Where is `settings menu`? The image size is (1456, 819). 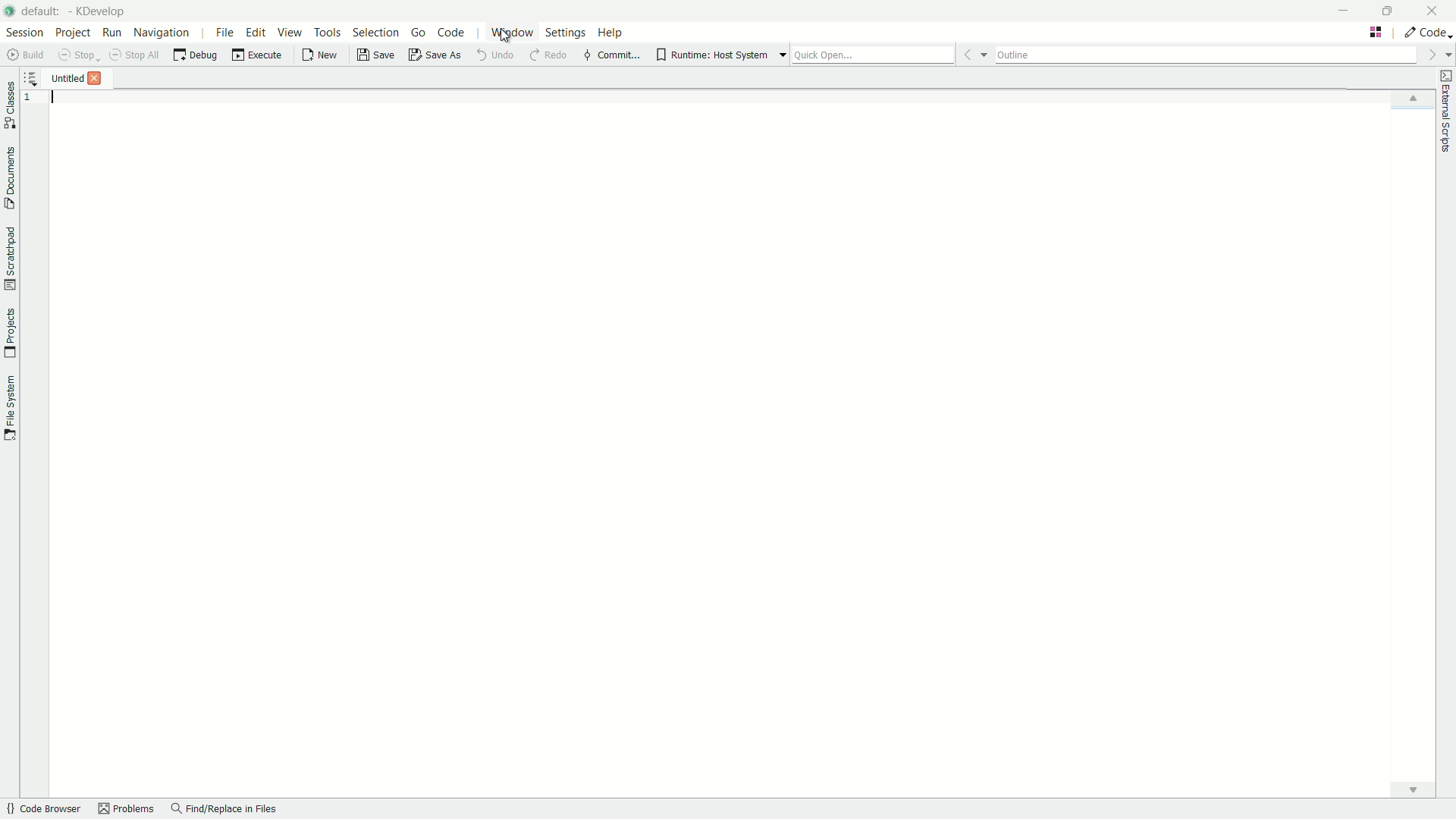 settings menu is located at coordinates (566, 33).